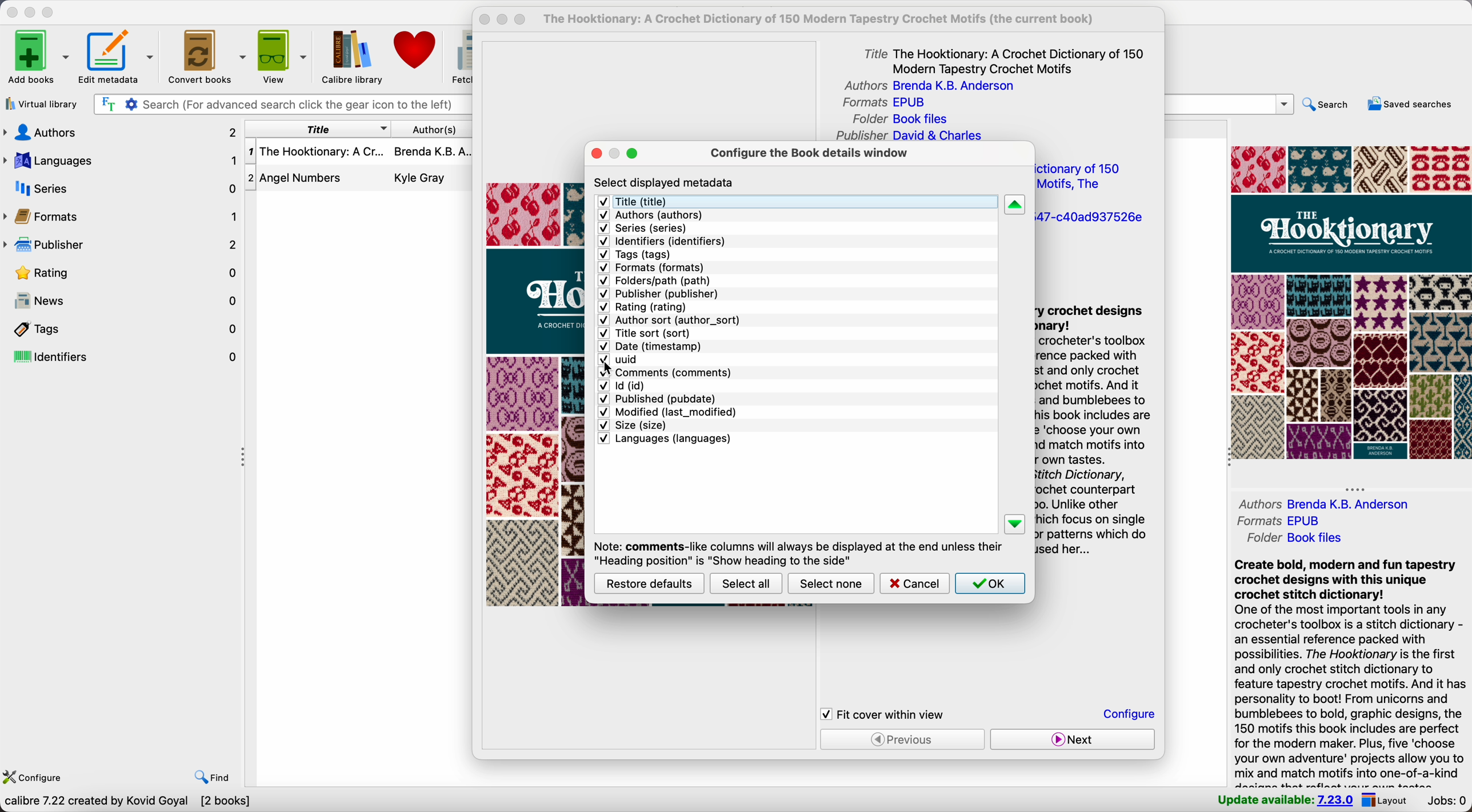  What do you see at coordinates (1006, 59) in the screenshot?
I see `title` at bounding box center [1006, 59].